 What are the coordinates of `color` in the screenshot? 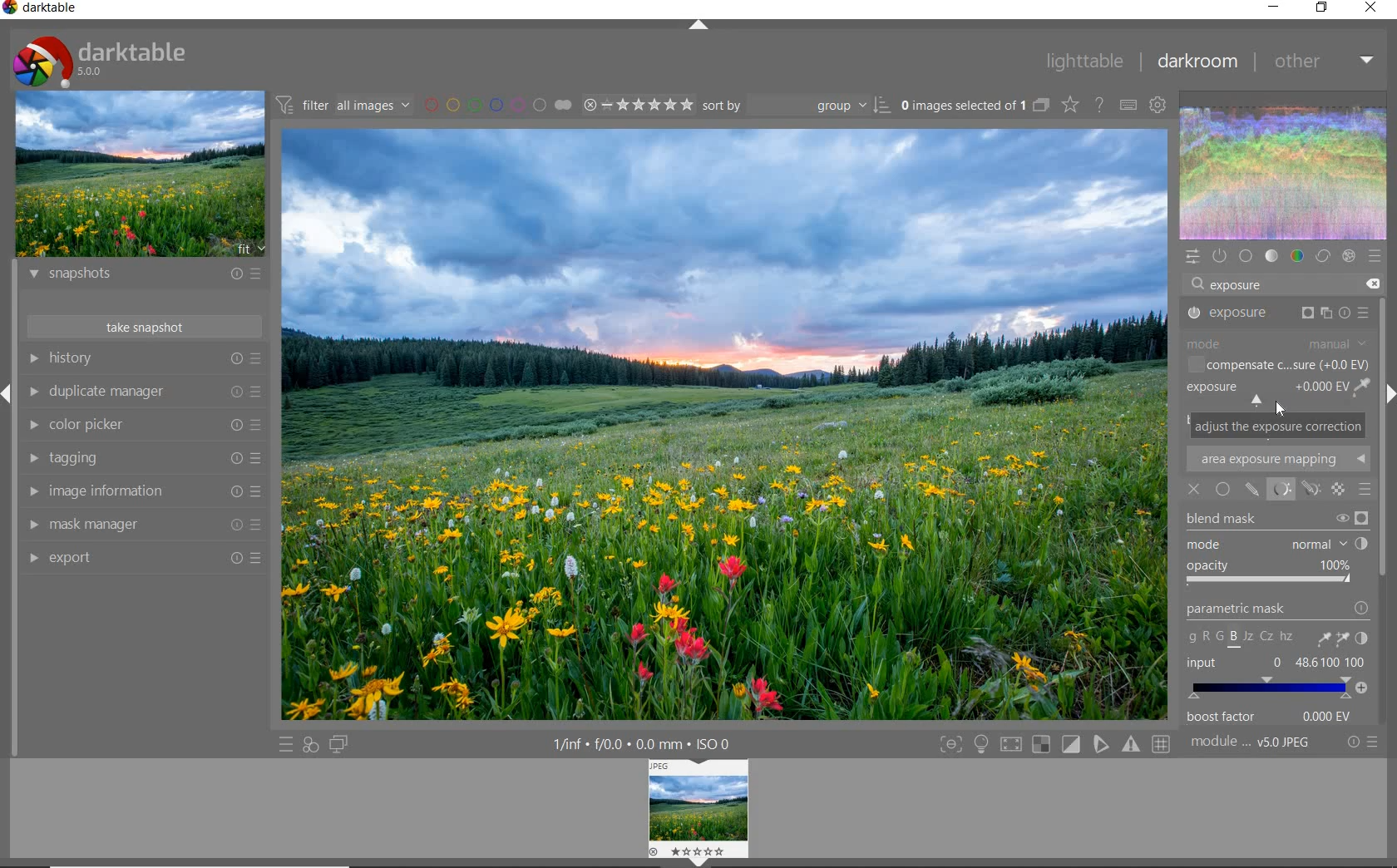 It's located at (1298, 254).